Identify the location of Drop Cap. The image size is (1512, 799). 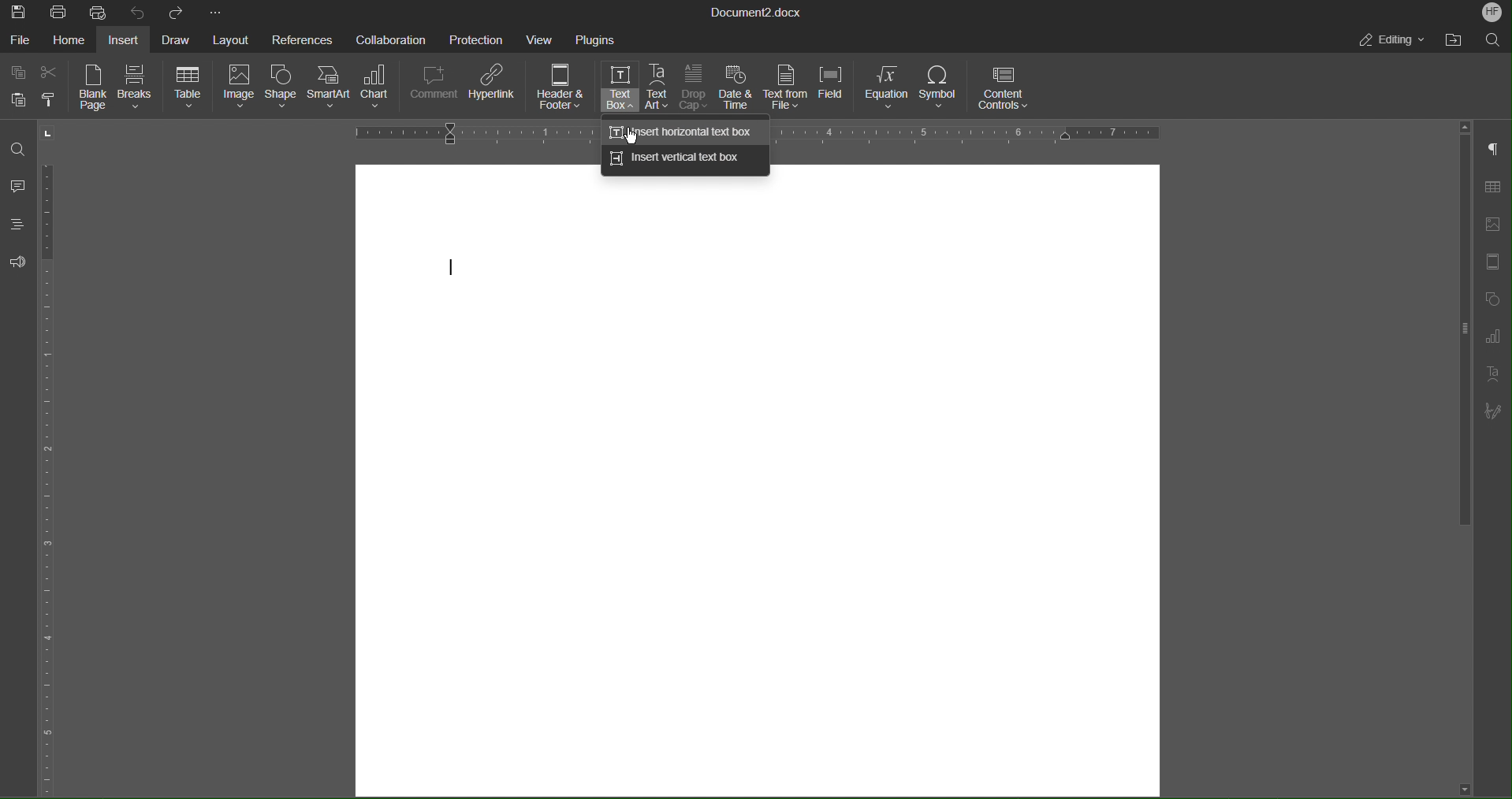
(694, 88).